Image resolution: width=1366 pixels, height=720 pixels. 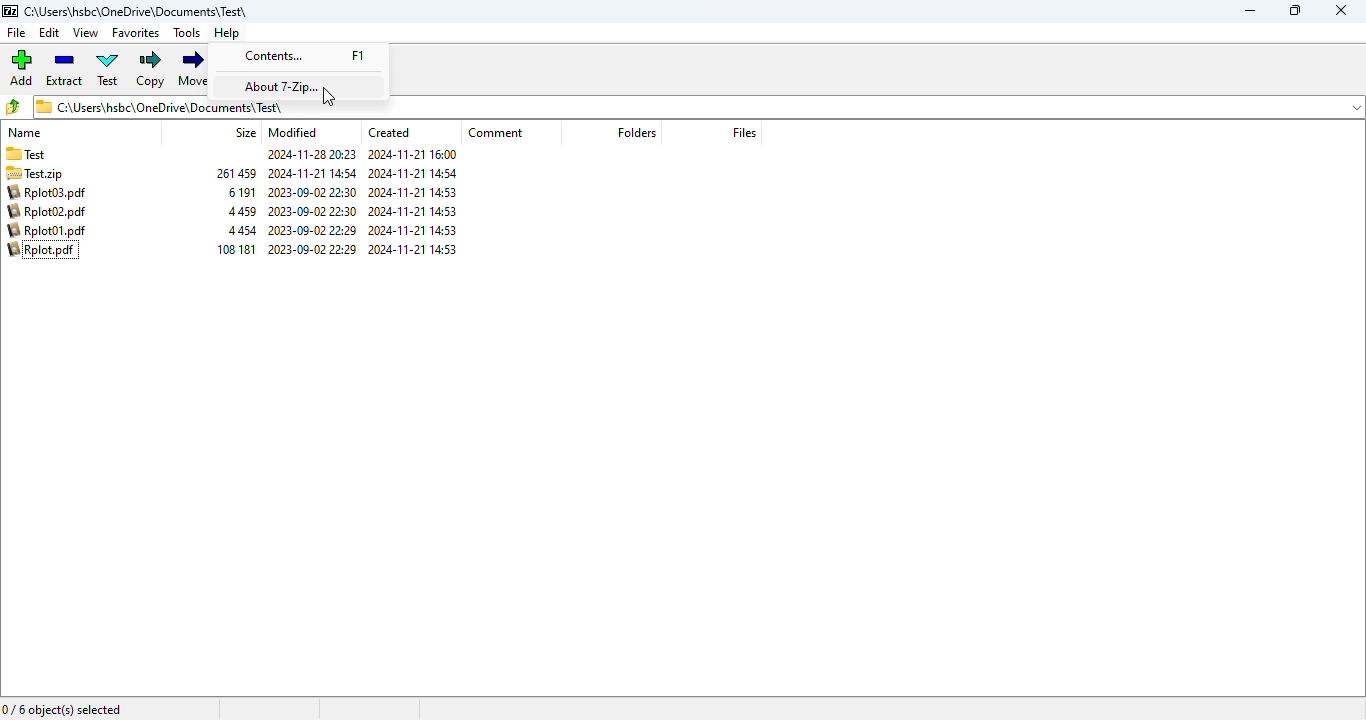 What do you see at coordinates (312, 231) in the screenshot?
I see `2023-09-02 22:29` at bounding box center [312, 231].